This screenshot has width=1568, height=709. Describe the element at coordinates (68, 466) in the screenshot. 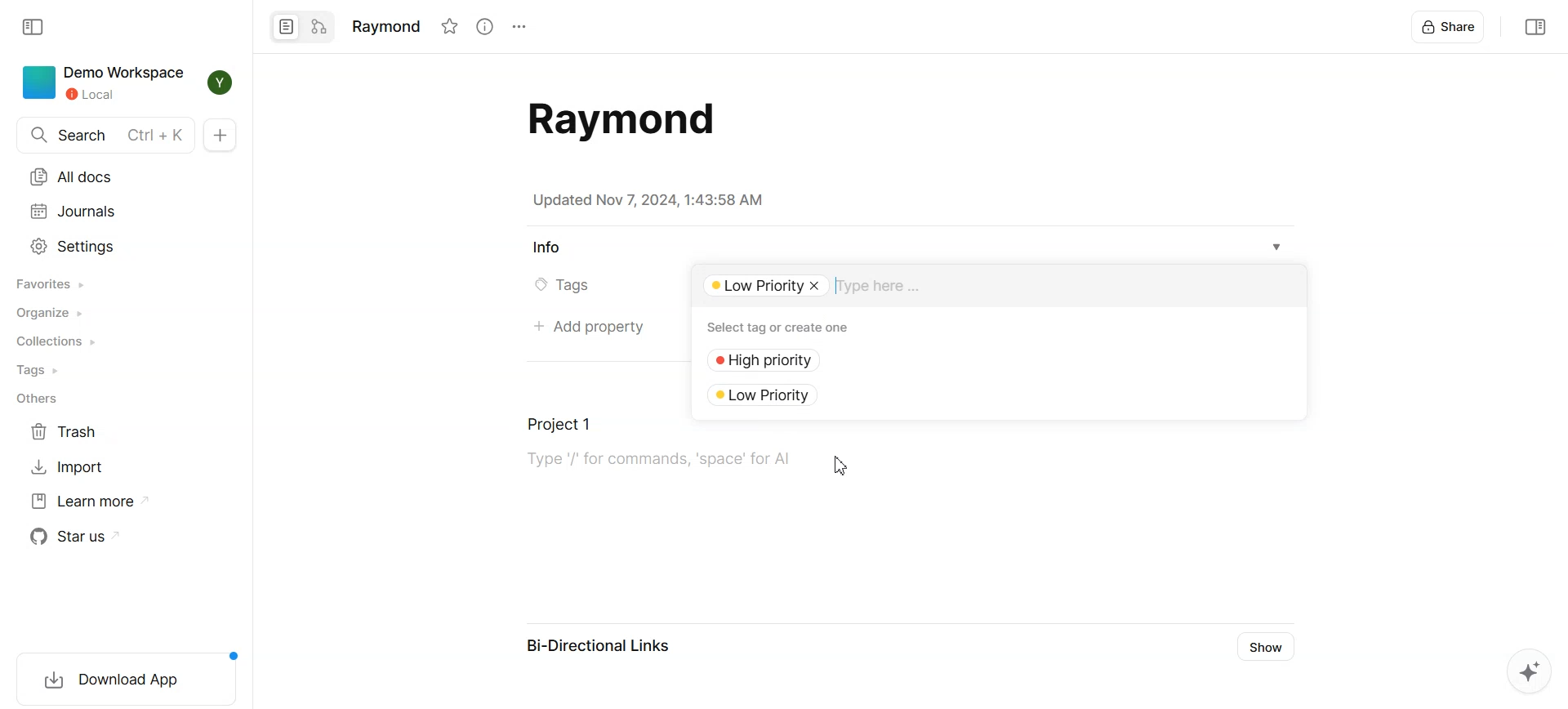

I see `Import` at that location.